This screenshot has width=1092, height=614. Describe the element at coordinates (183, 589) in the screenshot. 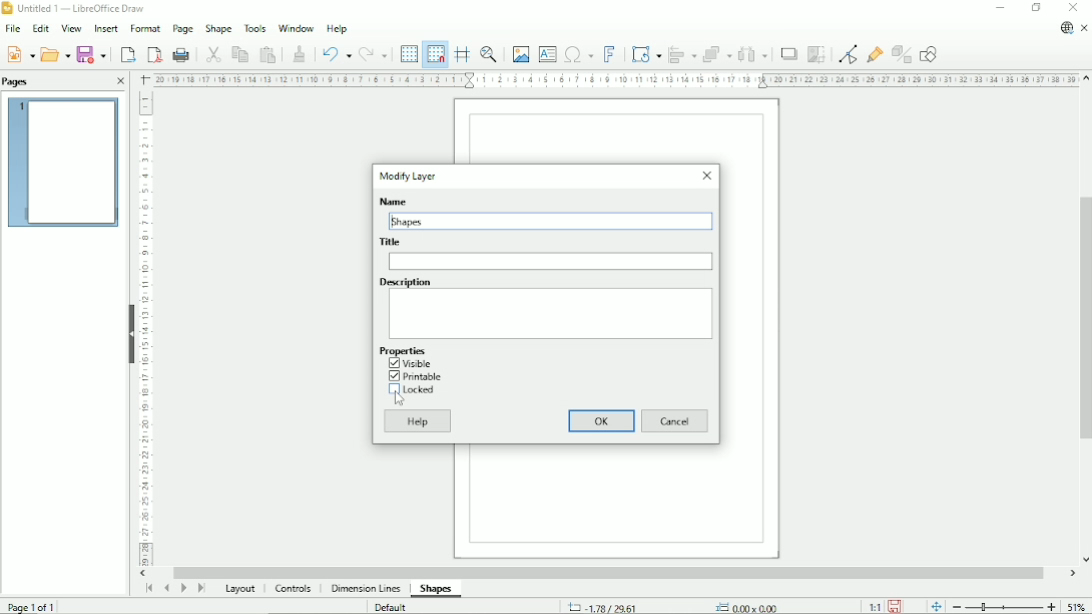

I see `Scroll to next page` at that location.